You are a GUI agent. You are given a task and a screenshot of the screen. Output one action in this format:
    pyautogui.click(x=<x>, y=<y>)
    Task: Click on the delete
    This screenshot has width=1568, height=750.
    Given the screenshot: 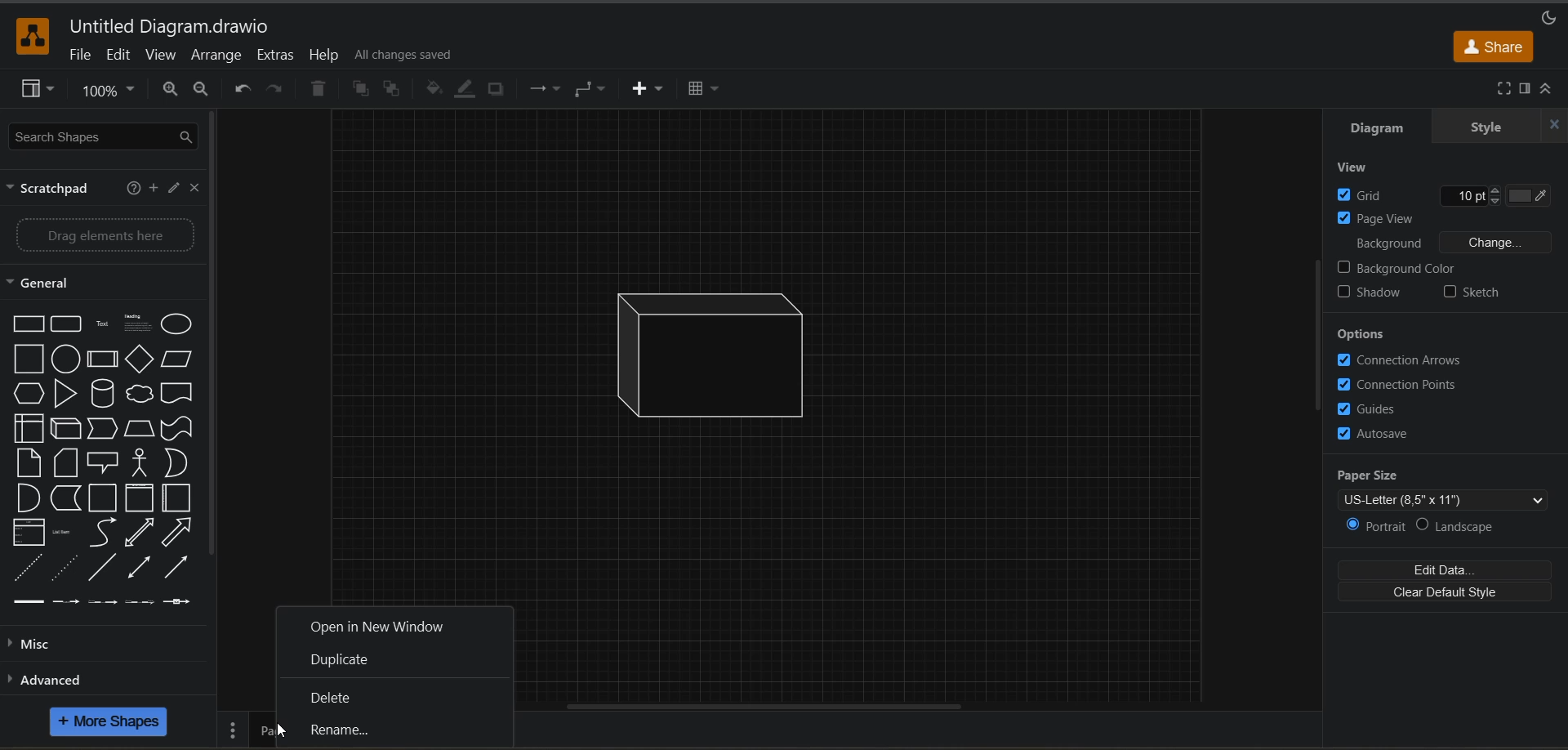 What is the action you would take?
    pyautogui.click(x=317, y=90)
    